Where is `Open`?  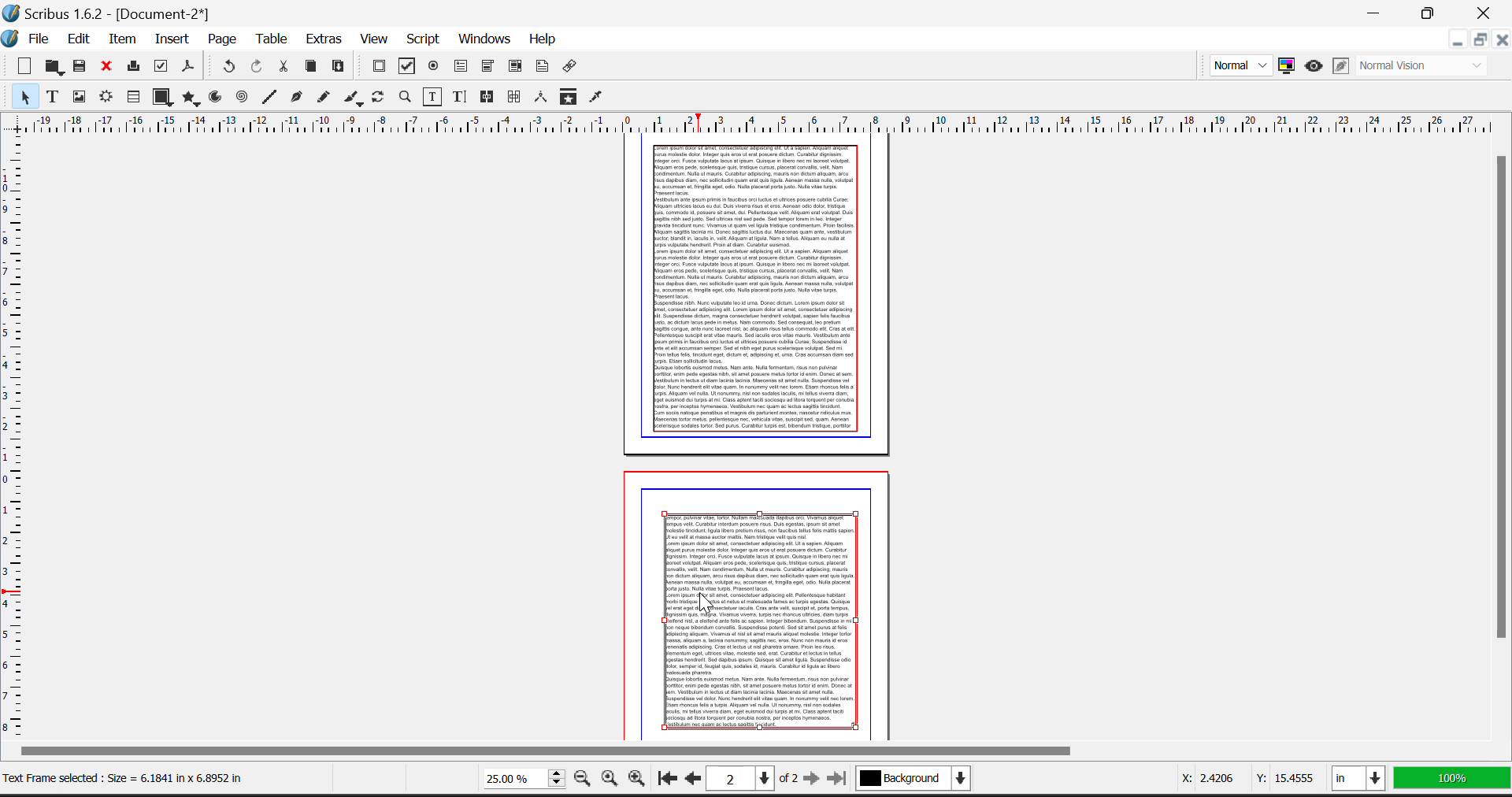
Open is located at coordinates (54, 67).